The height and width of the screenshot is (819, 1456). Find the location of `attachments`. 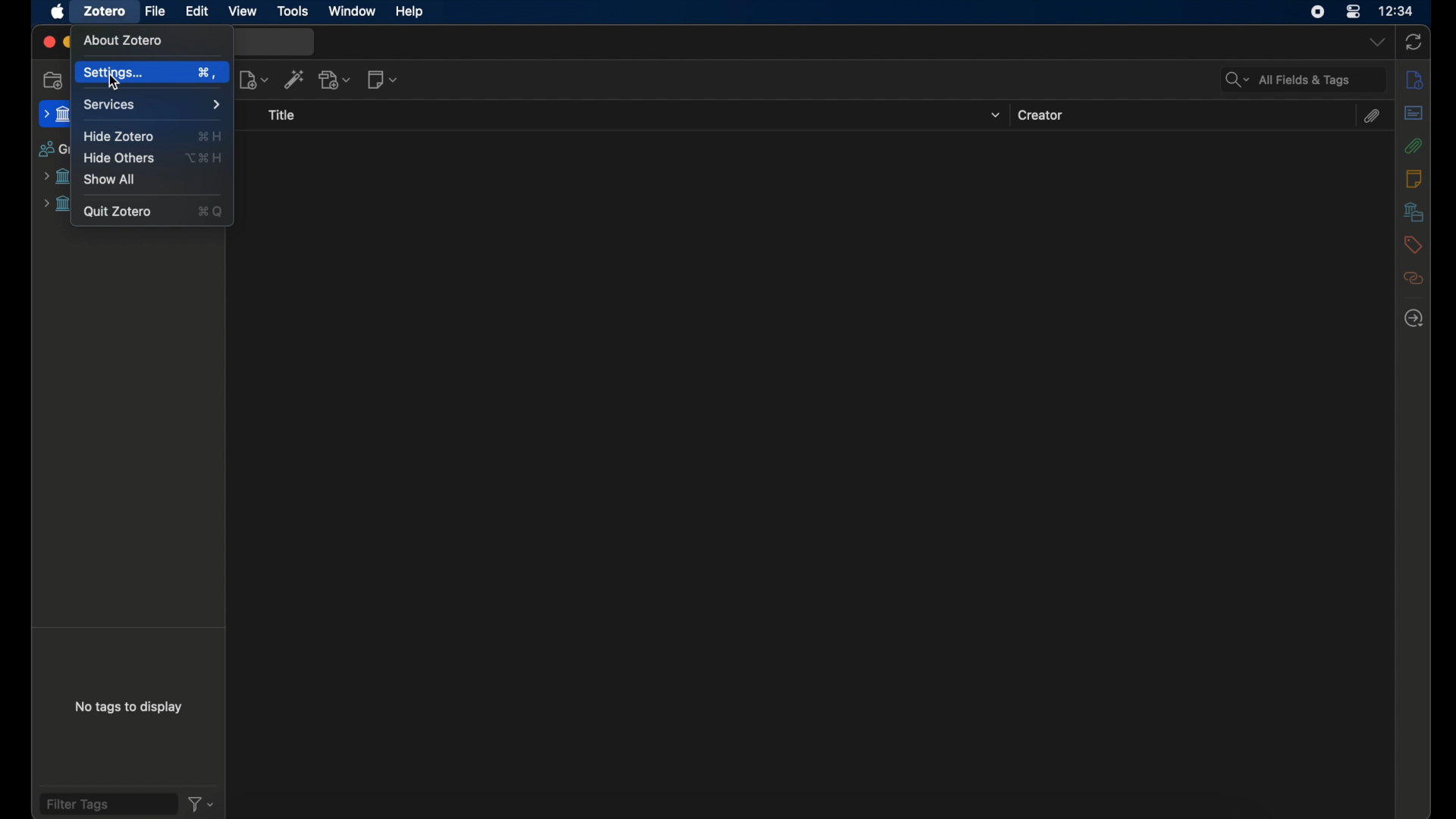

attachments is located at coordinates (1373, 116).